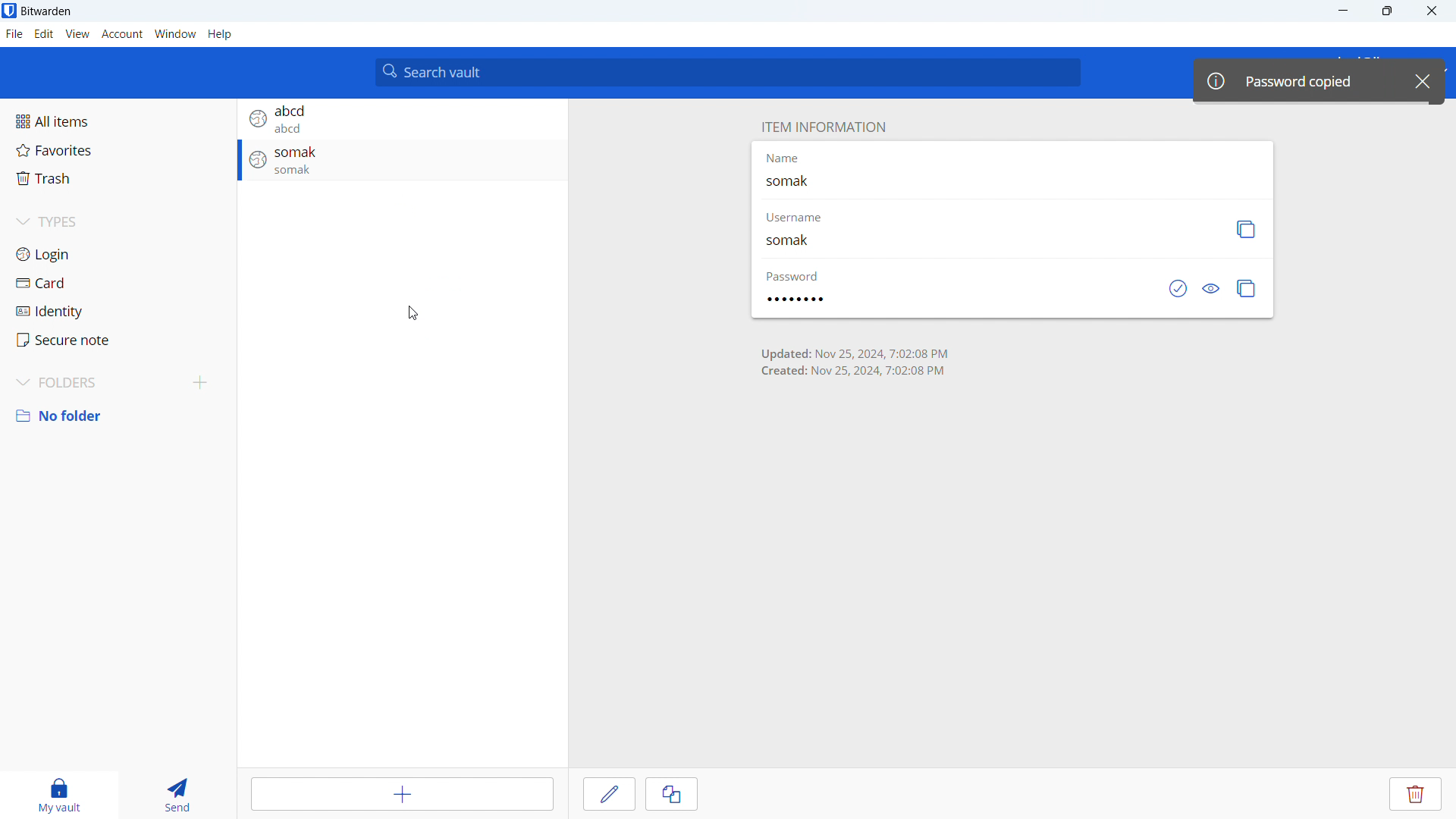 The height and width of the screenshot is (819, 1456). Describe the element at coordinates (175, 34) in the screenshot. I see `window` at that location.